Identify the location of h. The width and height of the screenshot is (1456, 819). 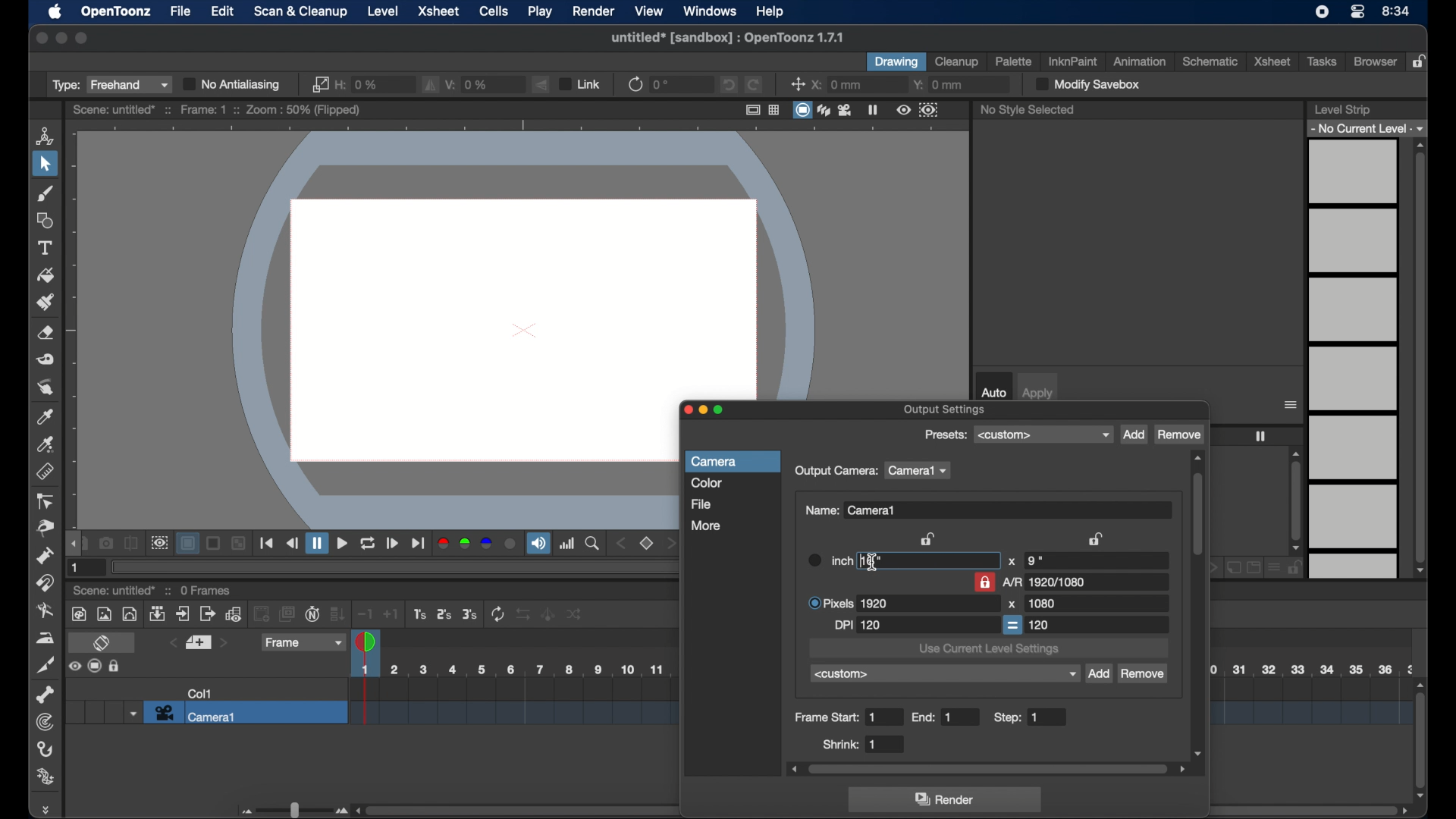
(359, 83).